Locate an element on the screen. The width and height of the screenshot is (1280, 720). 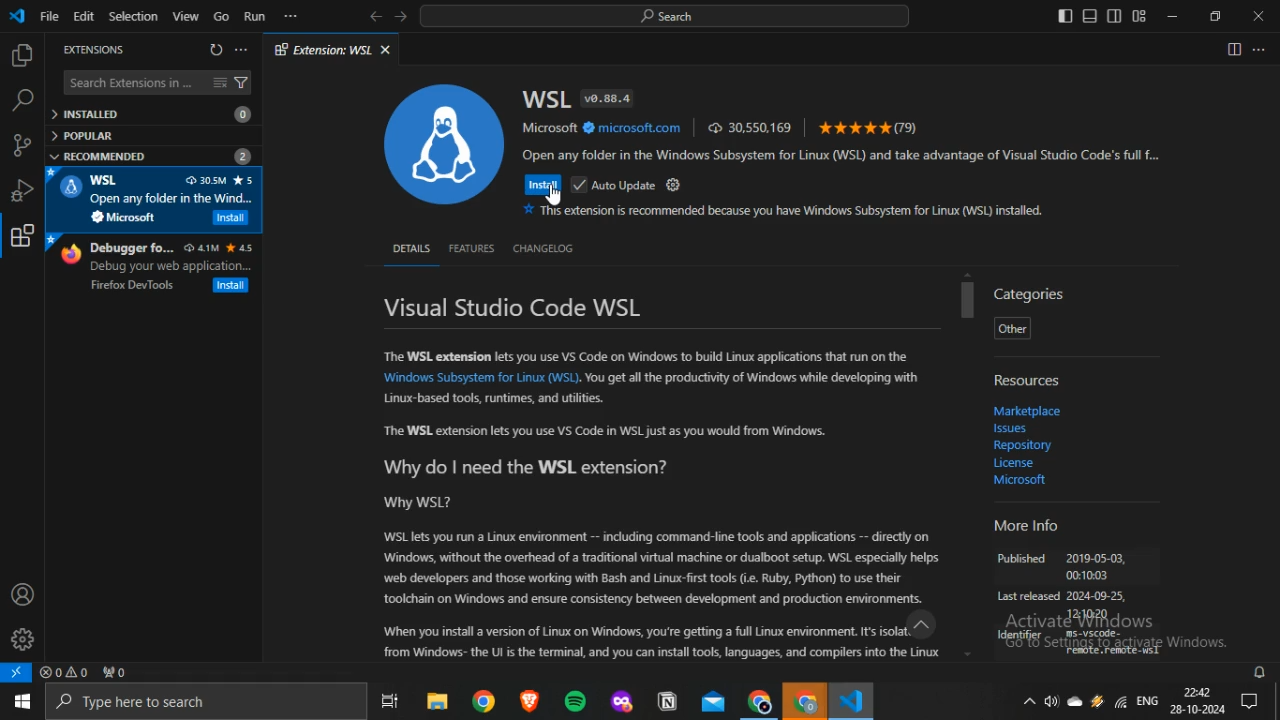
When you install version of Linux on Windows, you're getting a full Linux environment. Its isolat.”
from Windows- the Ut is the terminal, and you can install tools, languages, and compilers into the Linux is located at coordinates (663, 641).